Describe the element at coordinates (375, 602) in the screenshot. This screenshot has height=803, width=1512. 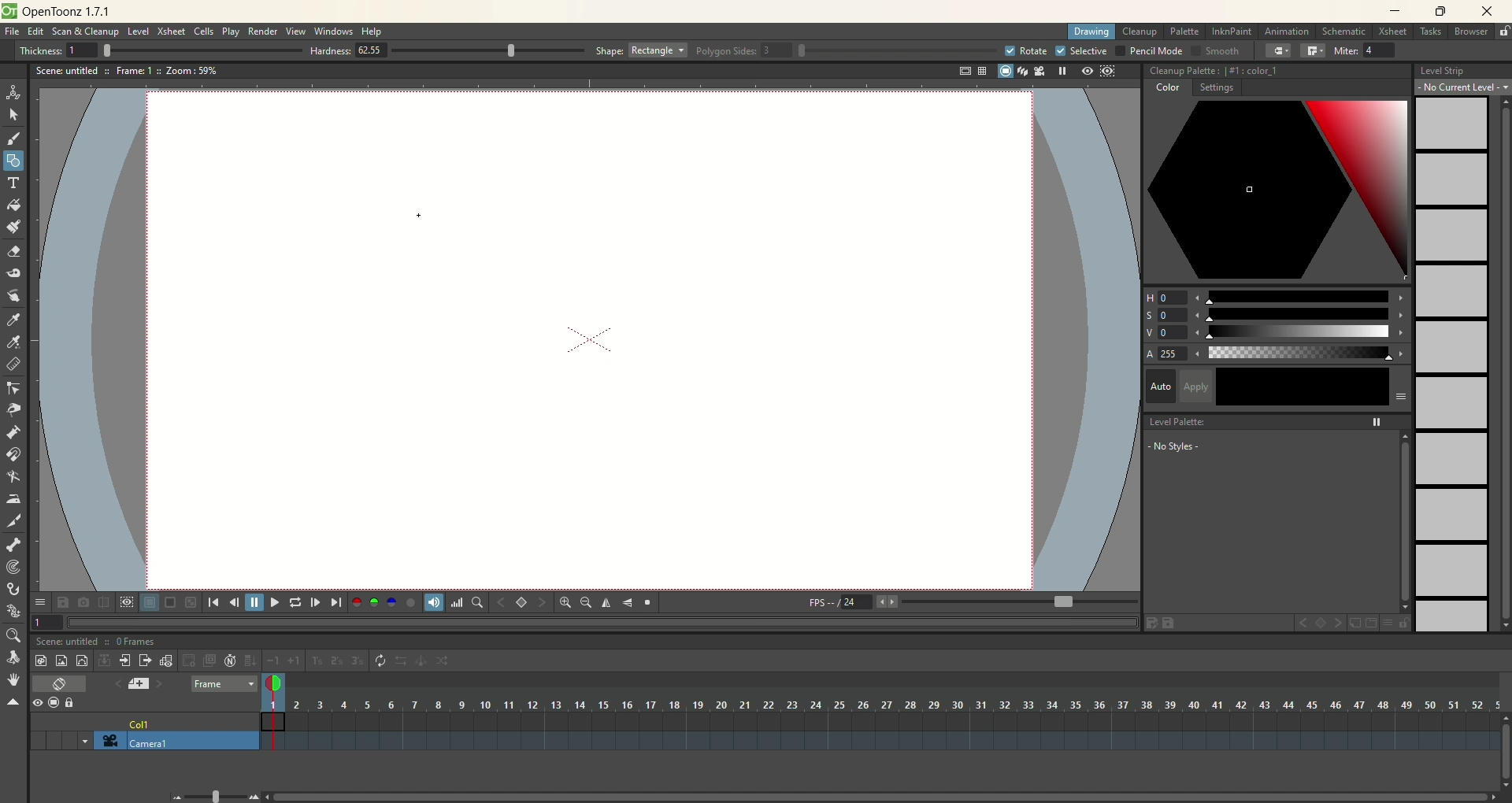
I see `green channel` at that location.